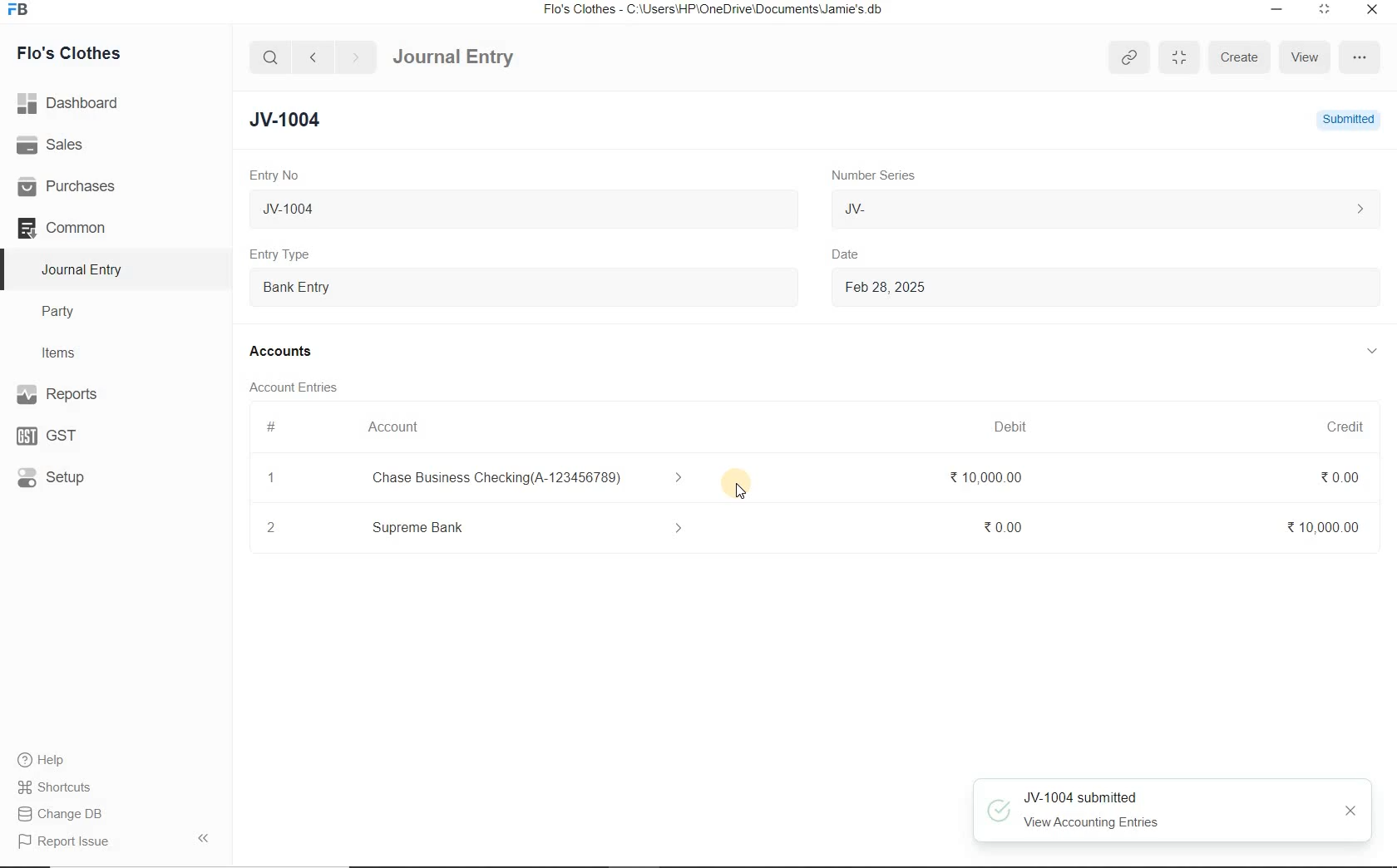 The width and height of the screenshot is (1397, 868). I want to click on Dashboard, so click(74, 101).